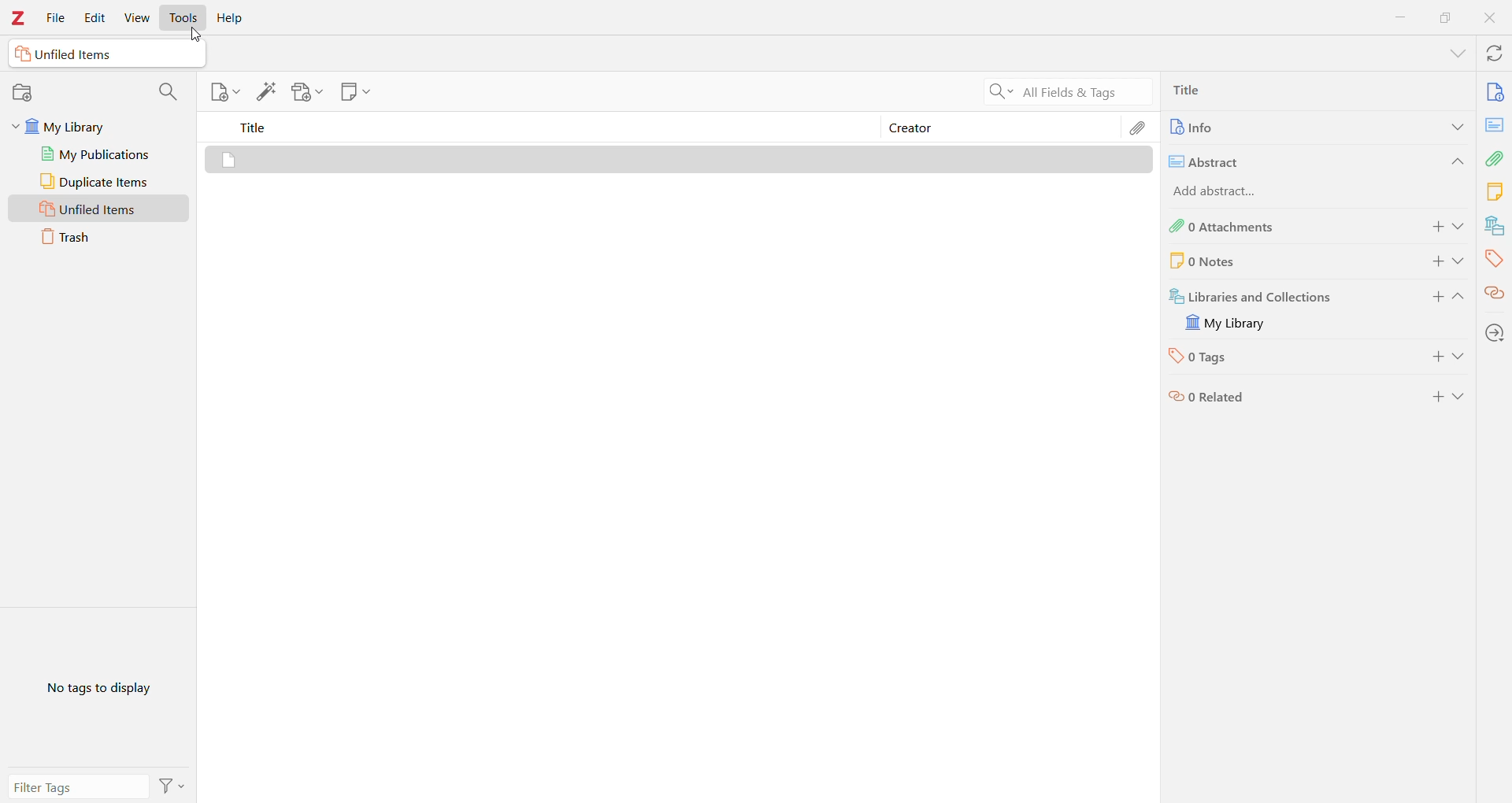 The height and width of the screenshot is (803, 1512). Describe the element at coordinates (137, 17) in the screenshot. I see `View` at that location.